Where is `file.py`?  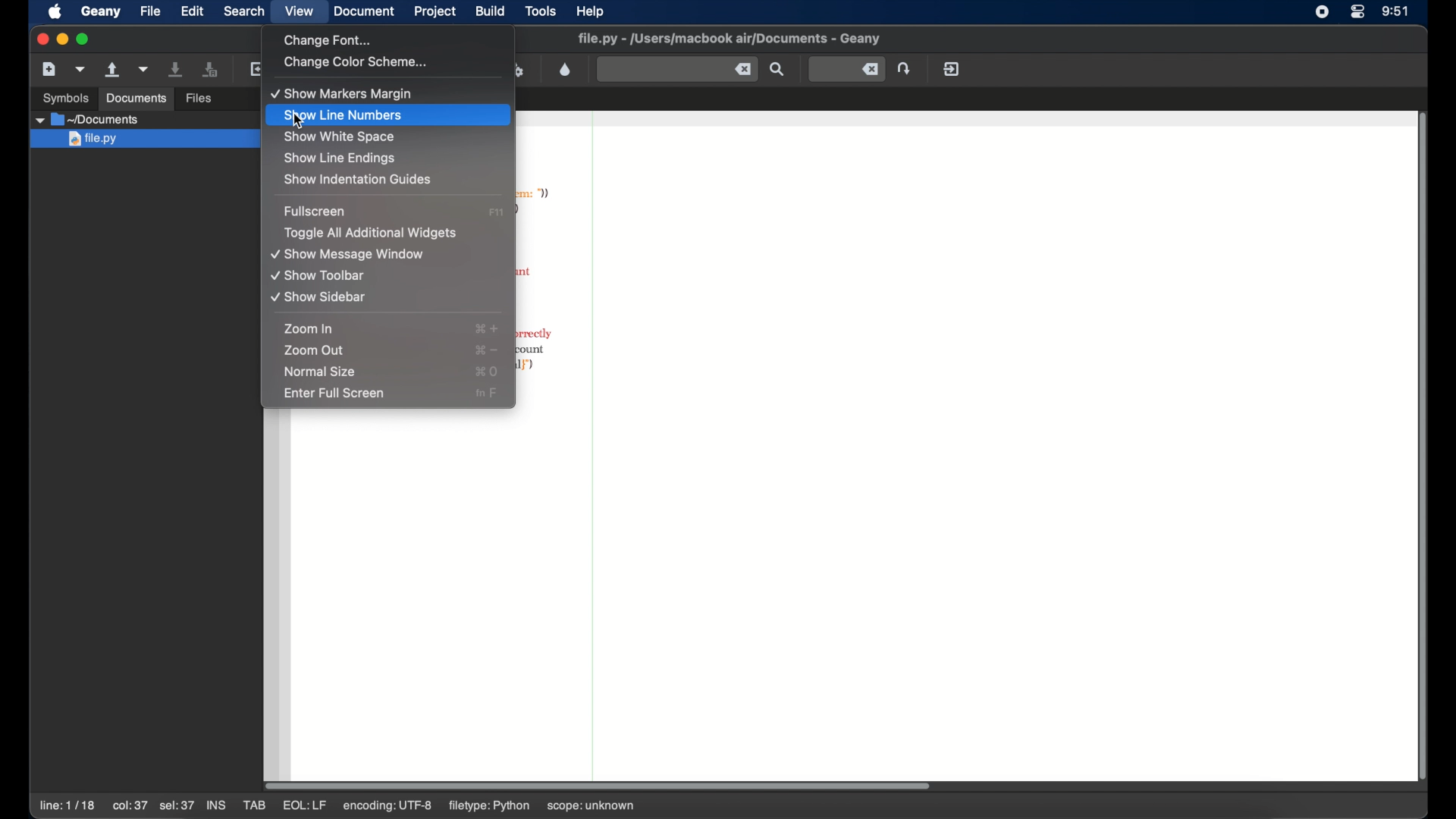
file.py is located at coordinates (146, 138).